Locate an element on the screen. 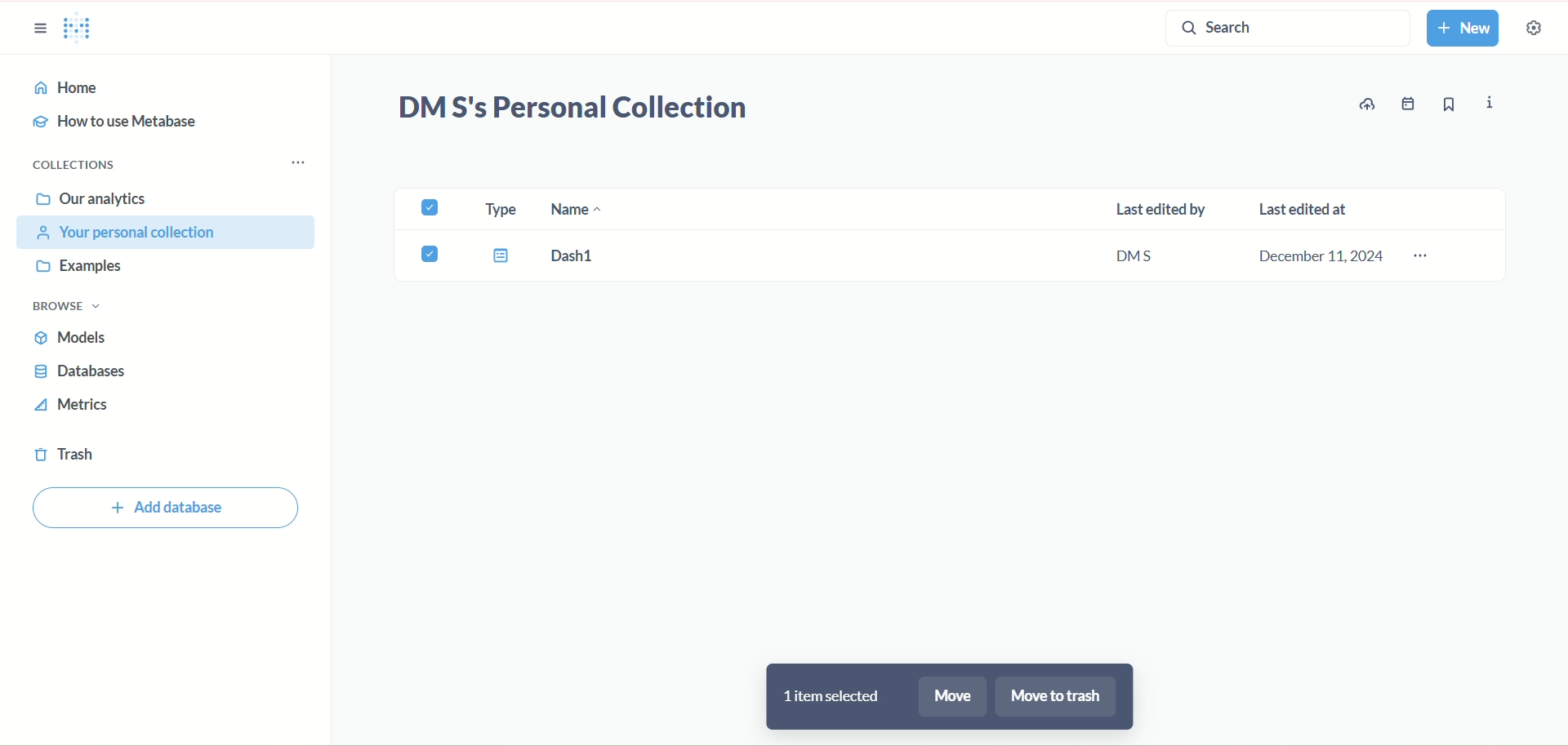  Collections menu is located at coordinates (293, 162).